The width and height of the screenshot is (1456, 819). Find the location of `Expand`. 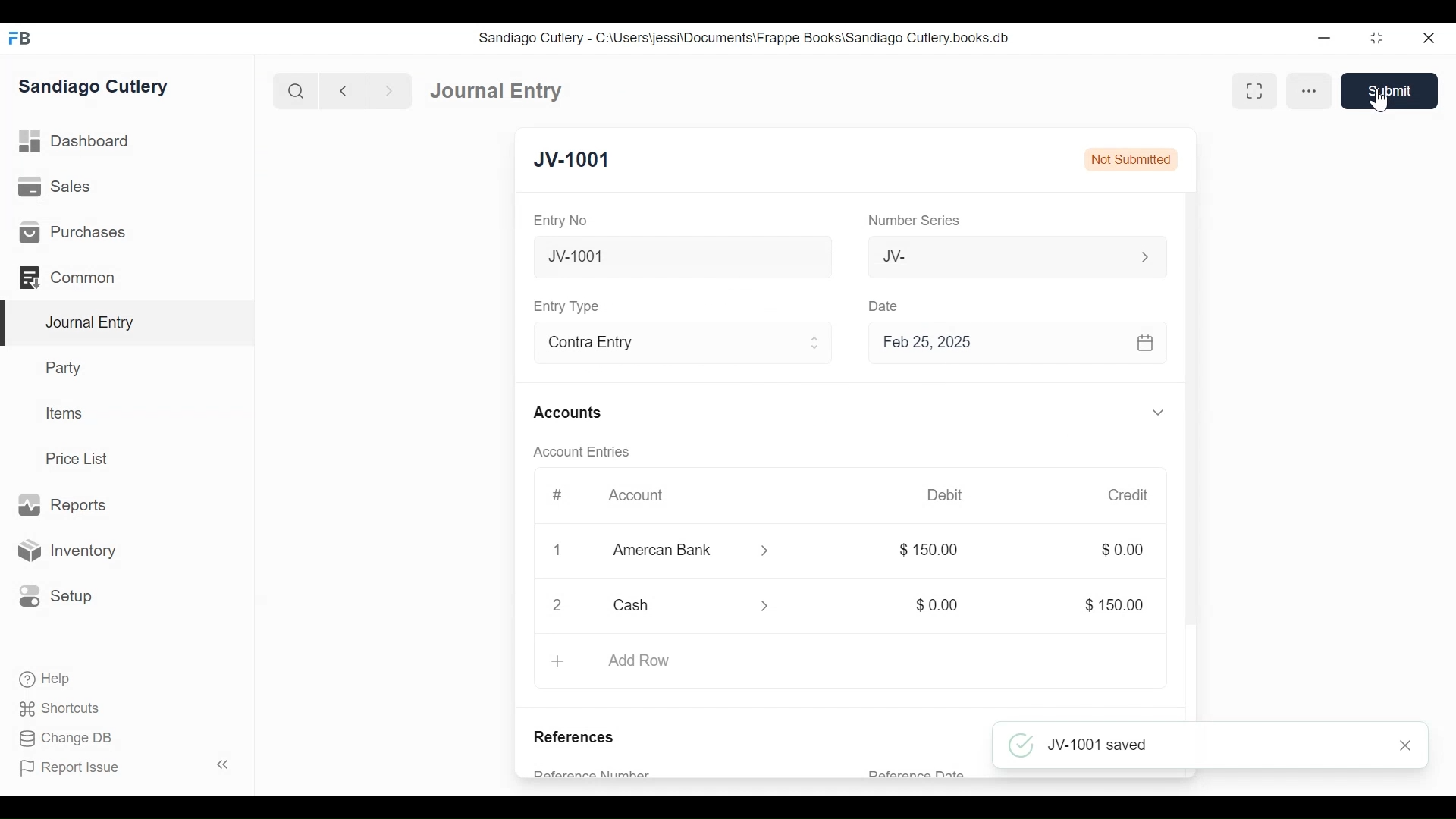

Expand is located at coordinates (815, 343).